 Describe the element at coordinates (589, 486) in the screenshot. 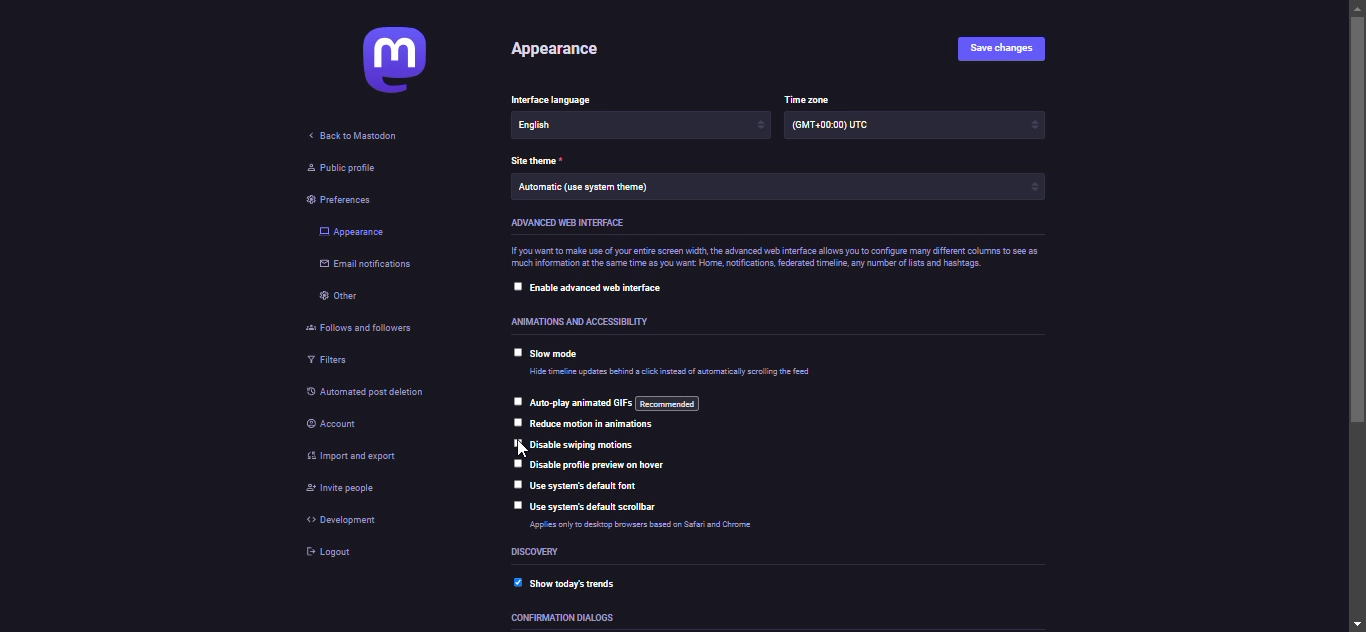

I see `use system's default font` at that location.